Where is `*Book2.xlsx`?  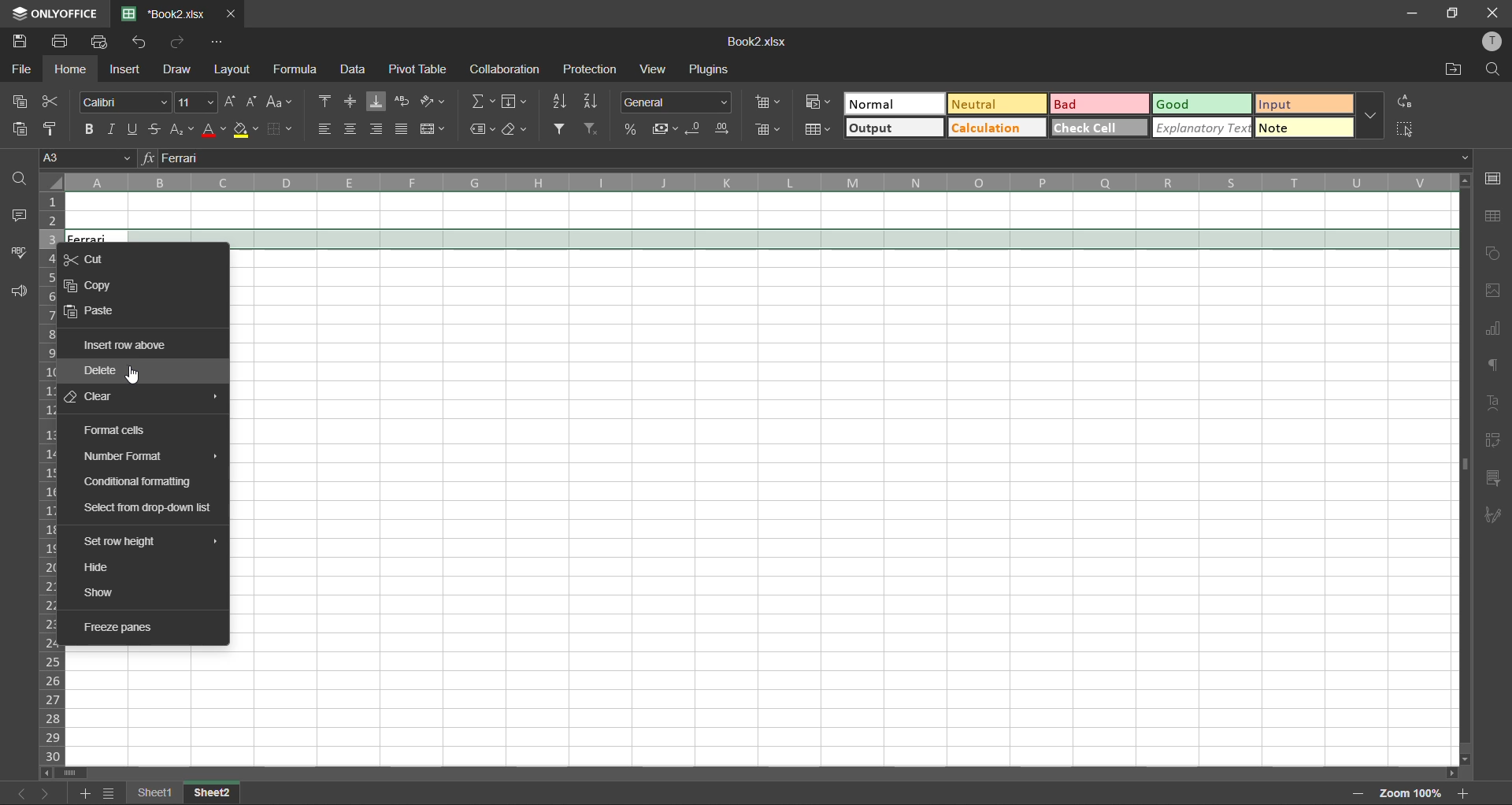
*Book2.xlsx is located at coordinates (167, 13).